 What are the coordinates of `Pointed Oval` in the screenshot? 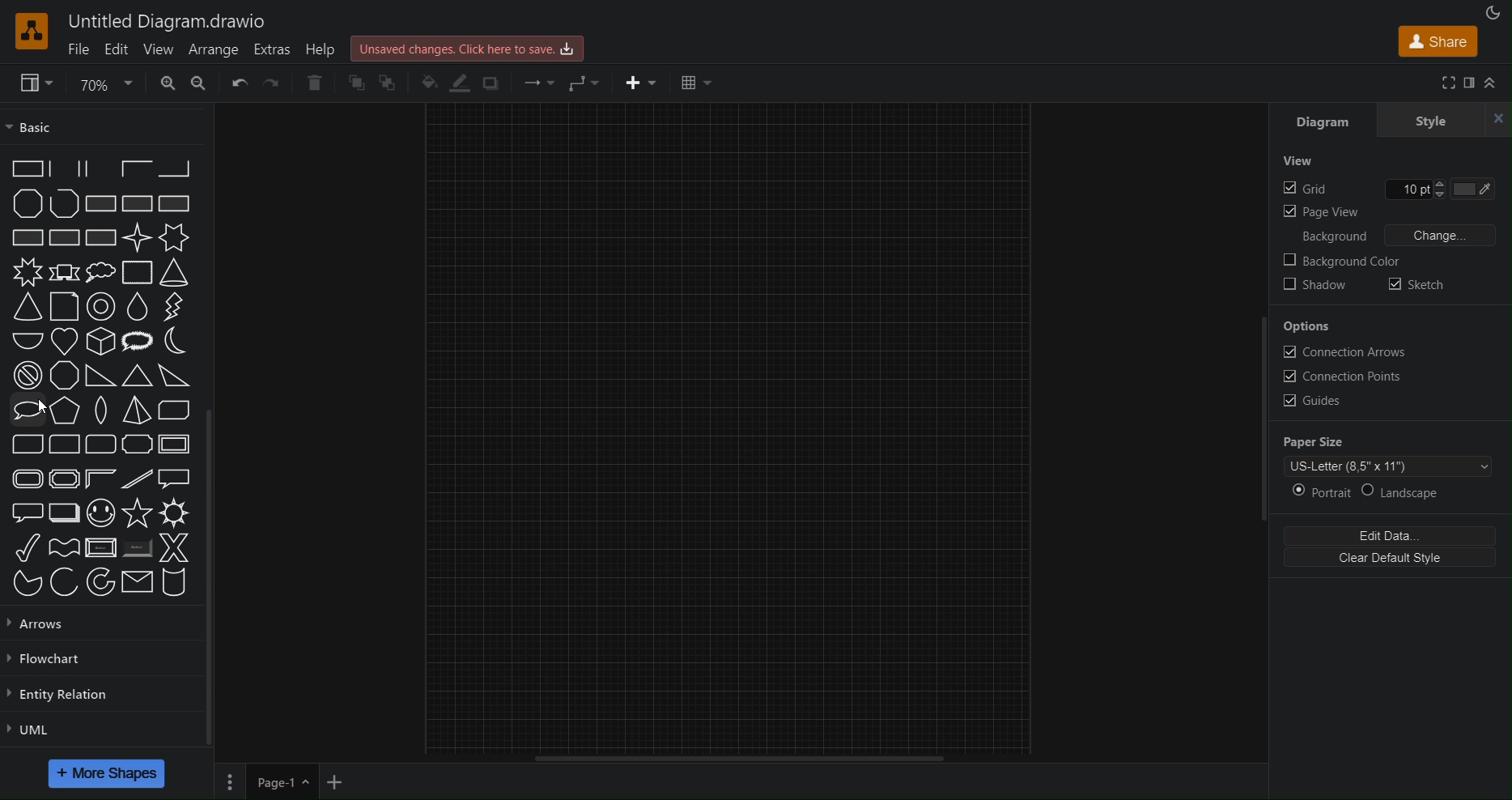 It's located at (101, 410).